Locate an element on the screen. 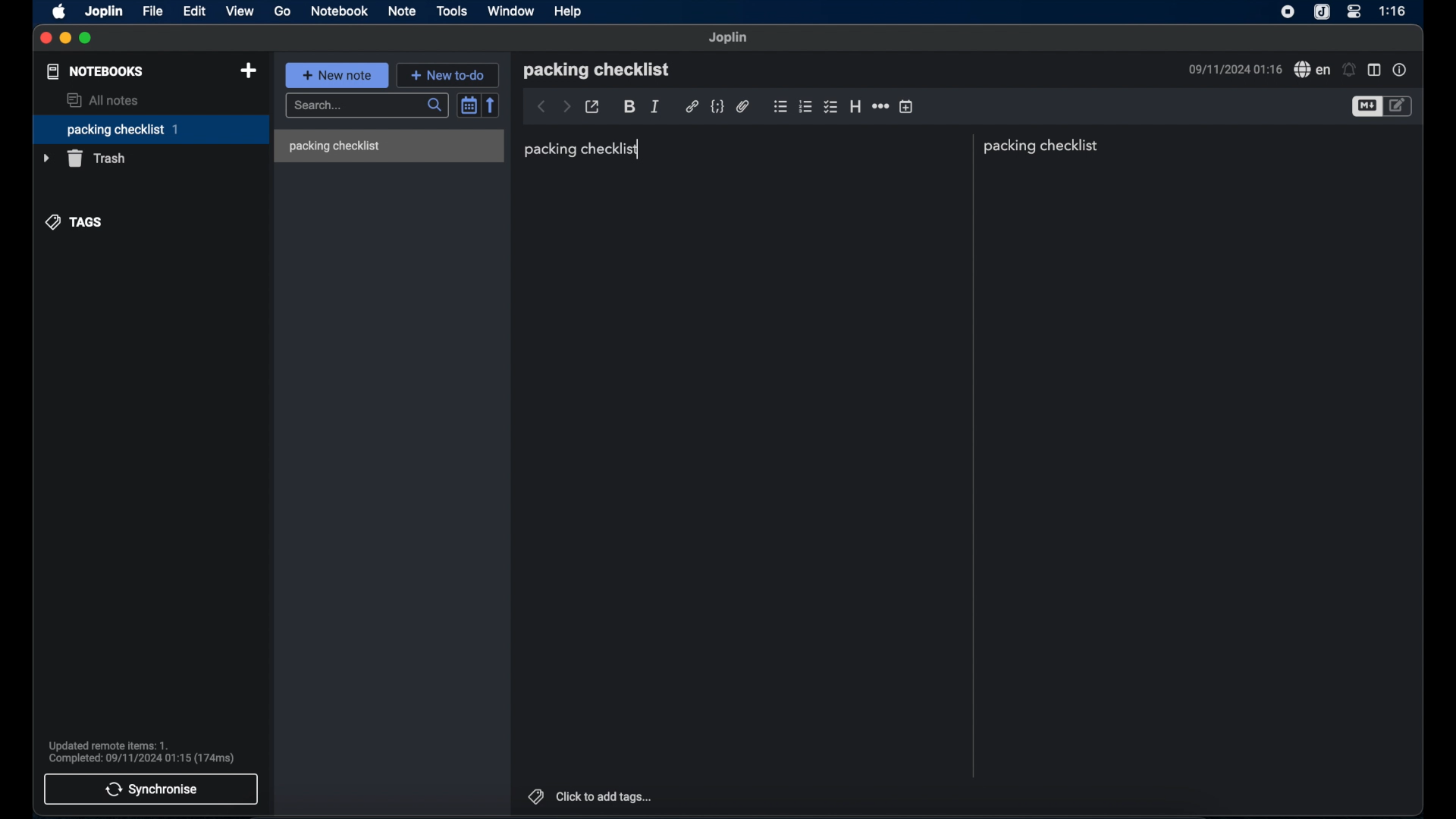  trash is located at coordinates (86, 158).